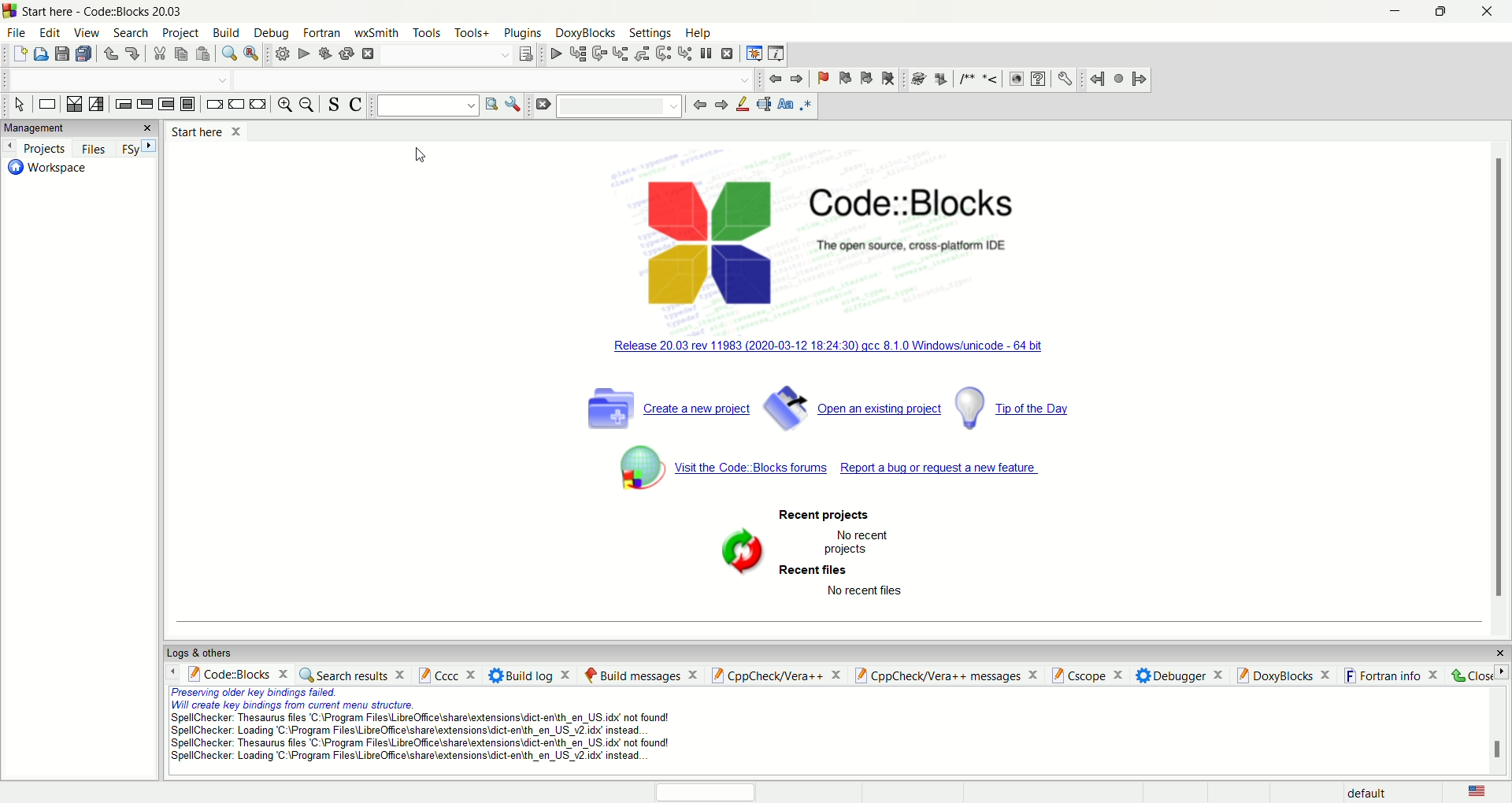  What do you see at coordinates (420, 157) in the screenshot?
I see `Cursor` at bounding box center [420, 157].